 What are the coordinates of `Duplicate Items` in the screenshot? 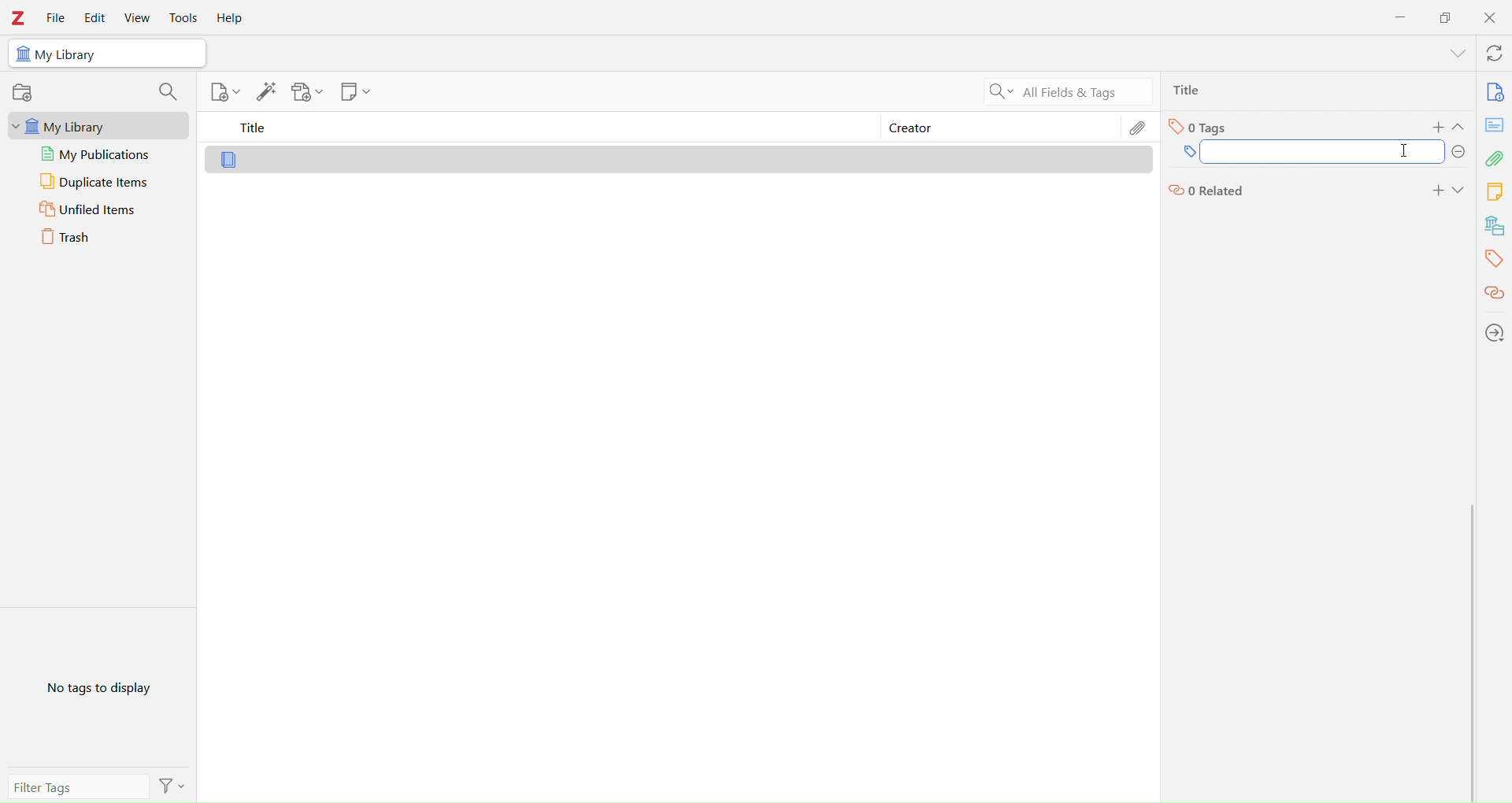 It's located at (99, 183).